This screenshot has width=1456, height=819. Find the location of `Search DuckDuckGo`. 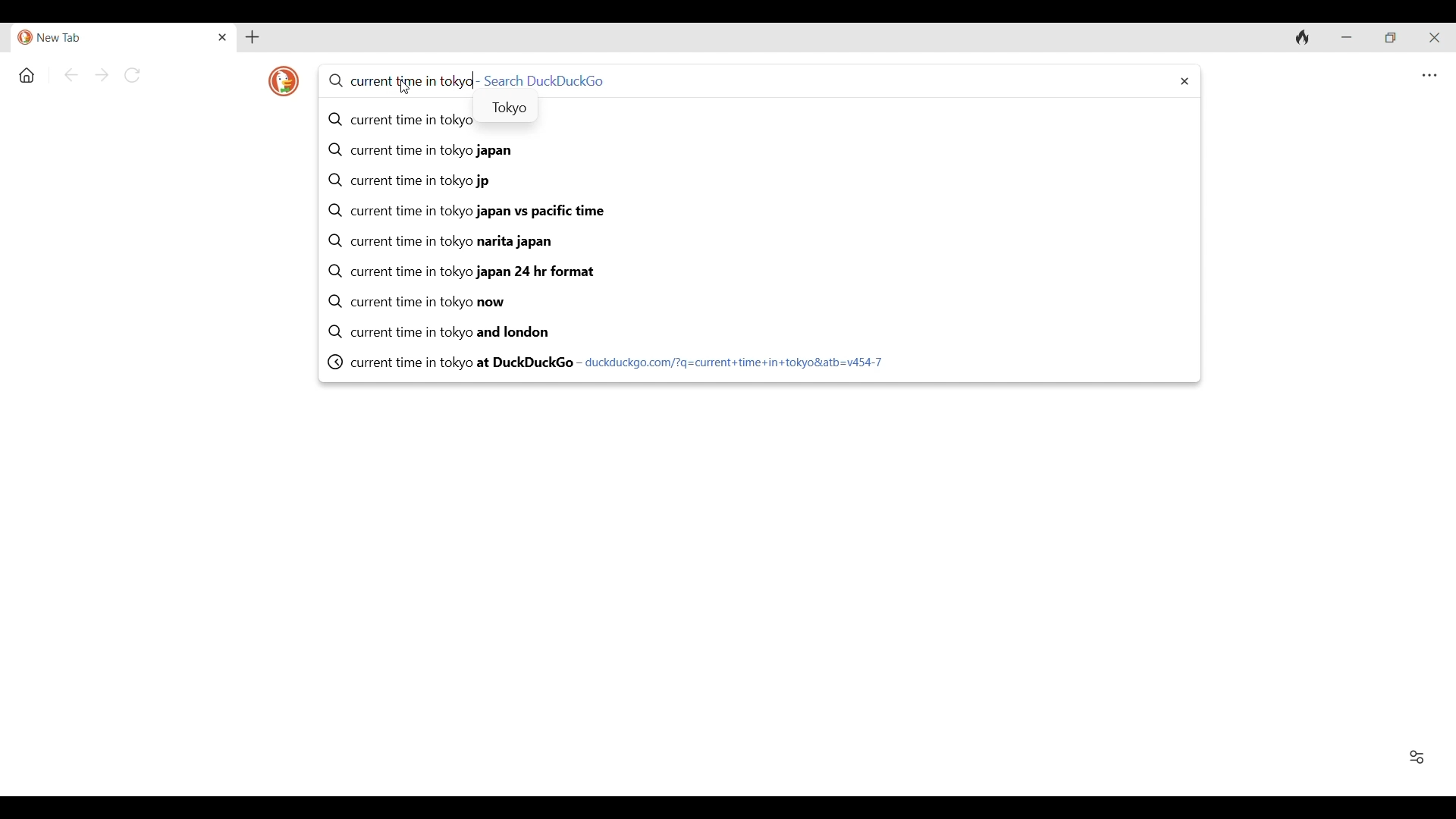

Search DuckDuckGo is located at coordinates (544, 80).